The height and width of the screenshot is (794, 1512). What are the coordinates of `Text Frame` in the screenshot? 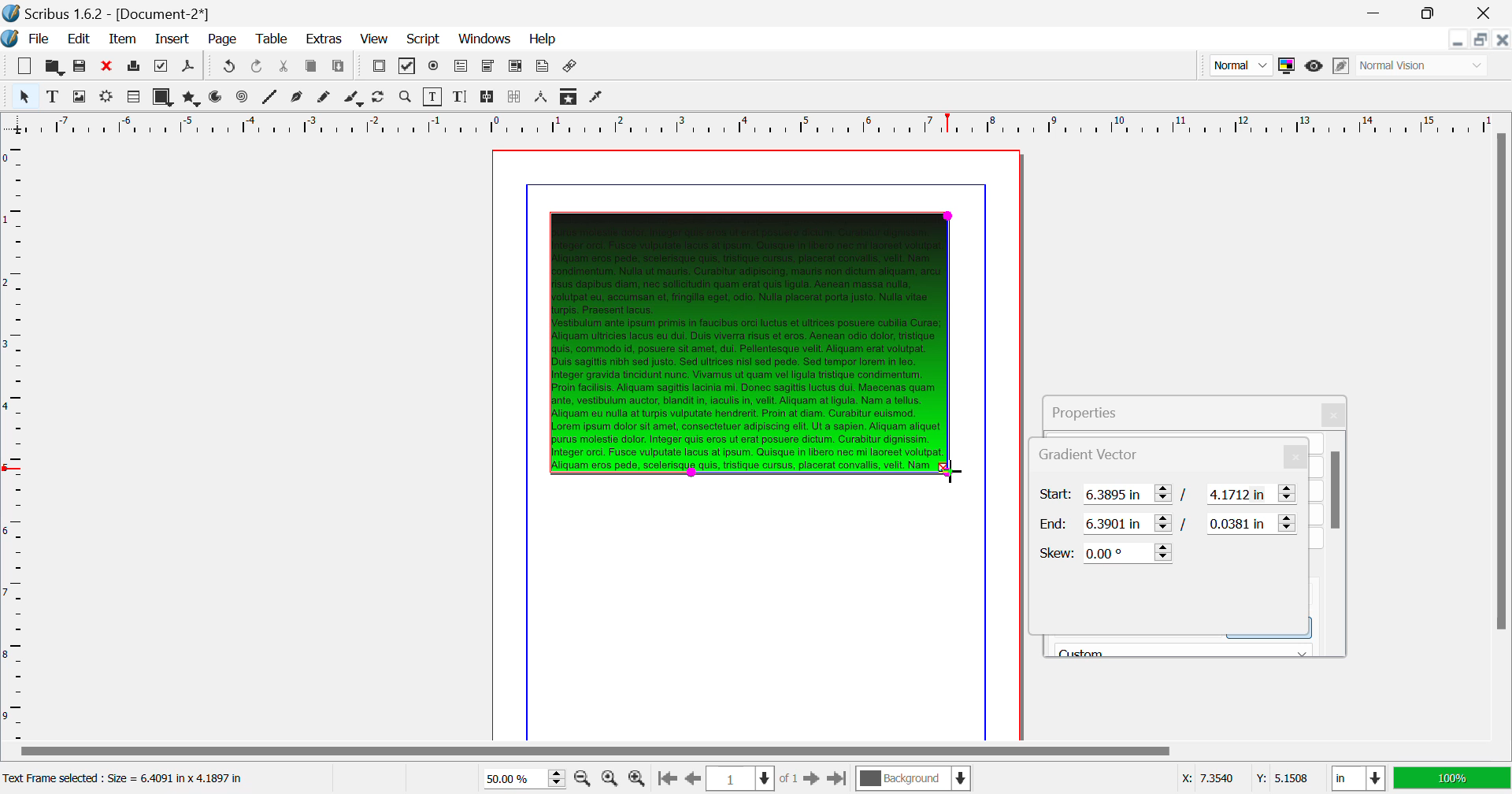 It's located at (53, 96).